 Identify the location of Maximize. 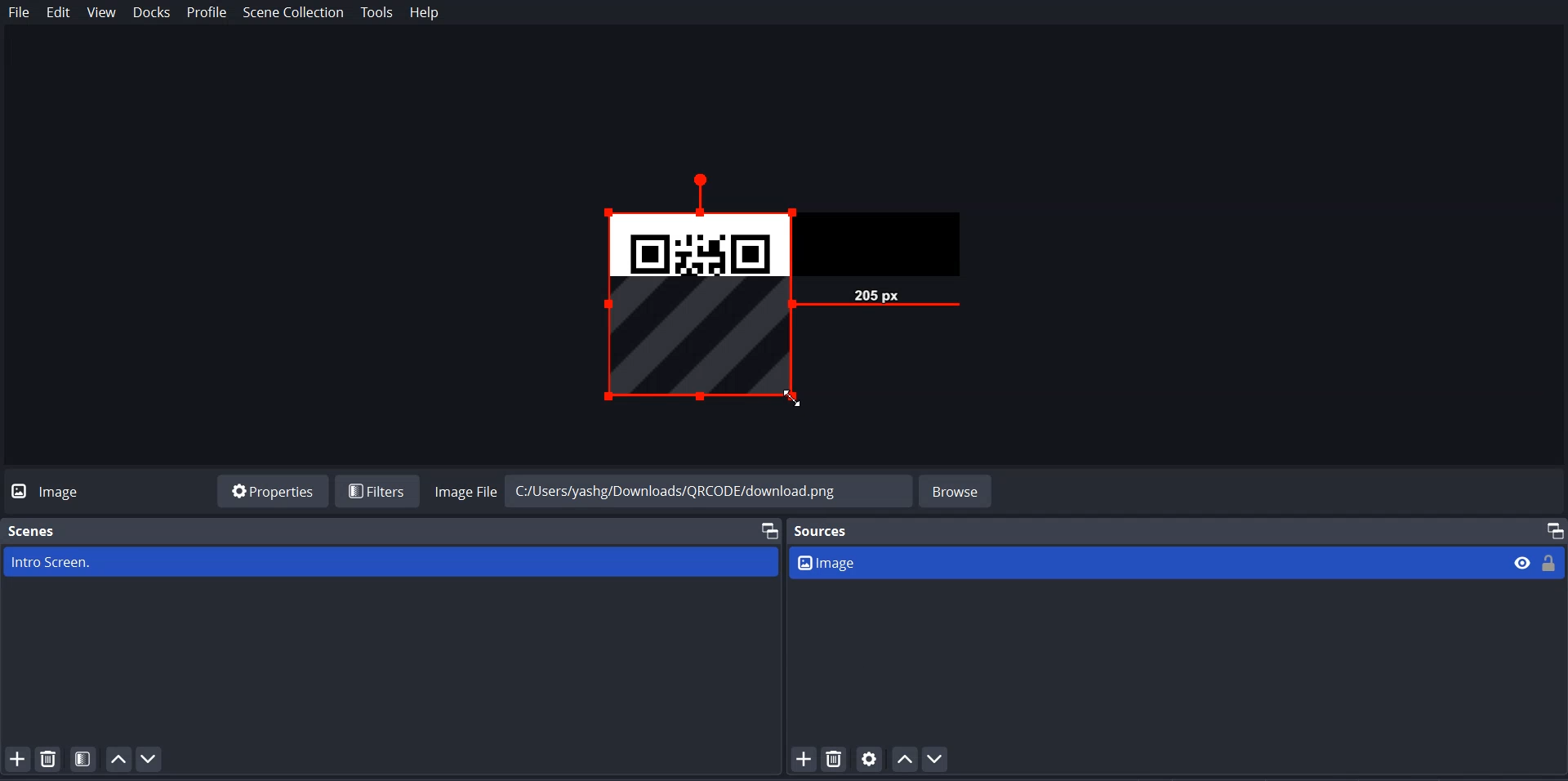
(767, 529).